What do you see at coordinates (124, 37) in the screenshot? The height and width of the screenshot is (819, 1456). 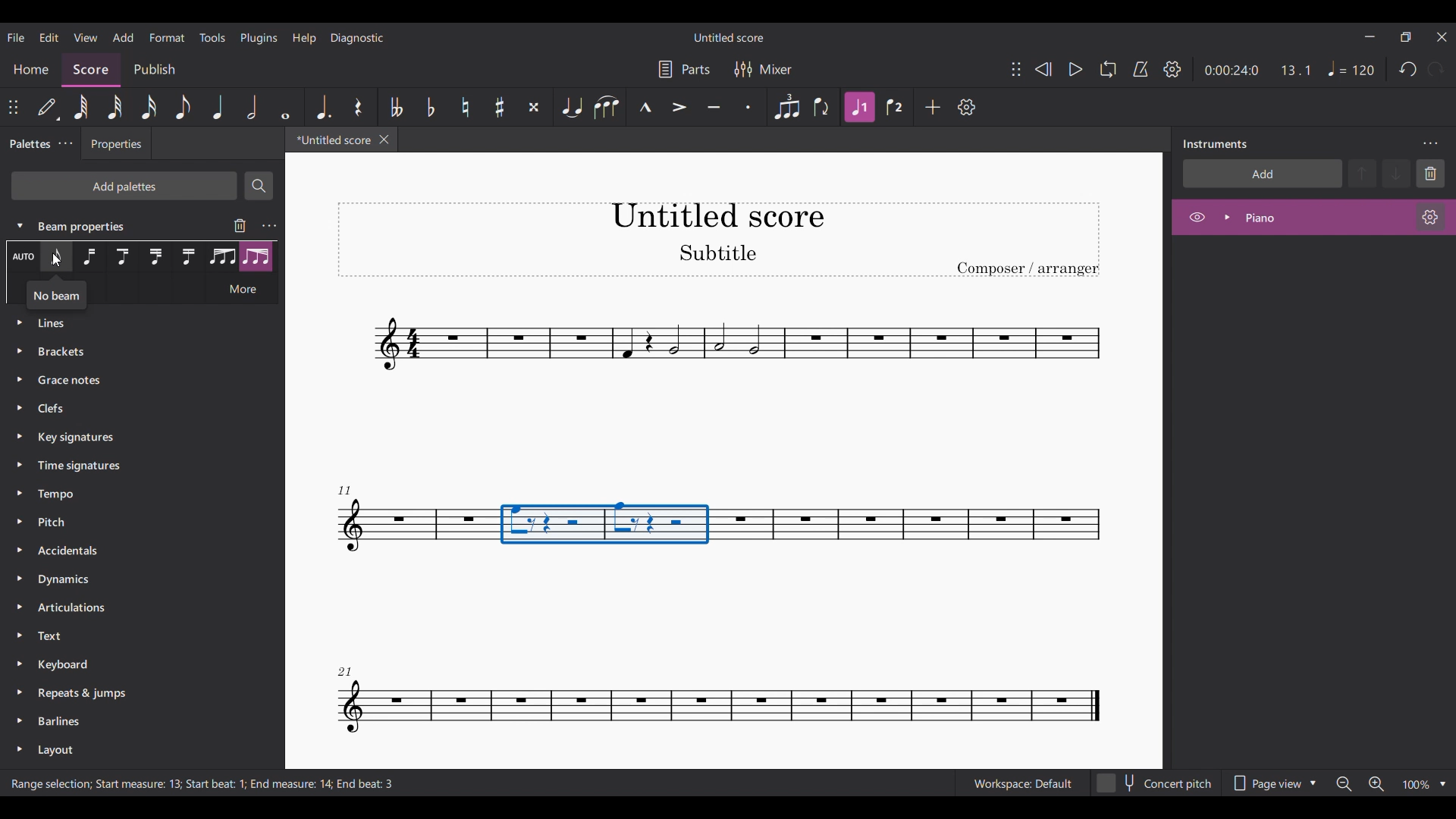 I see `Add menu` at bounding box center [124, 37].